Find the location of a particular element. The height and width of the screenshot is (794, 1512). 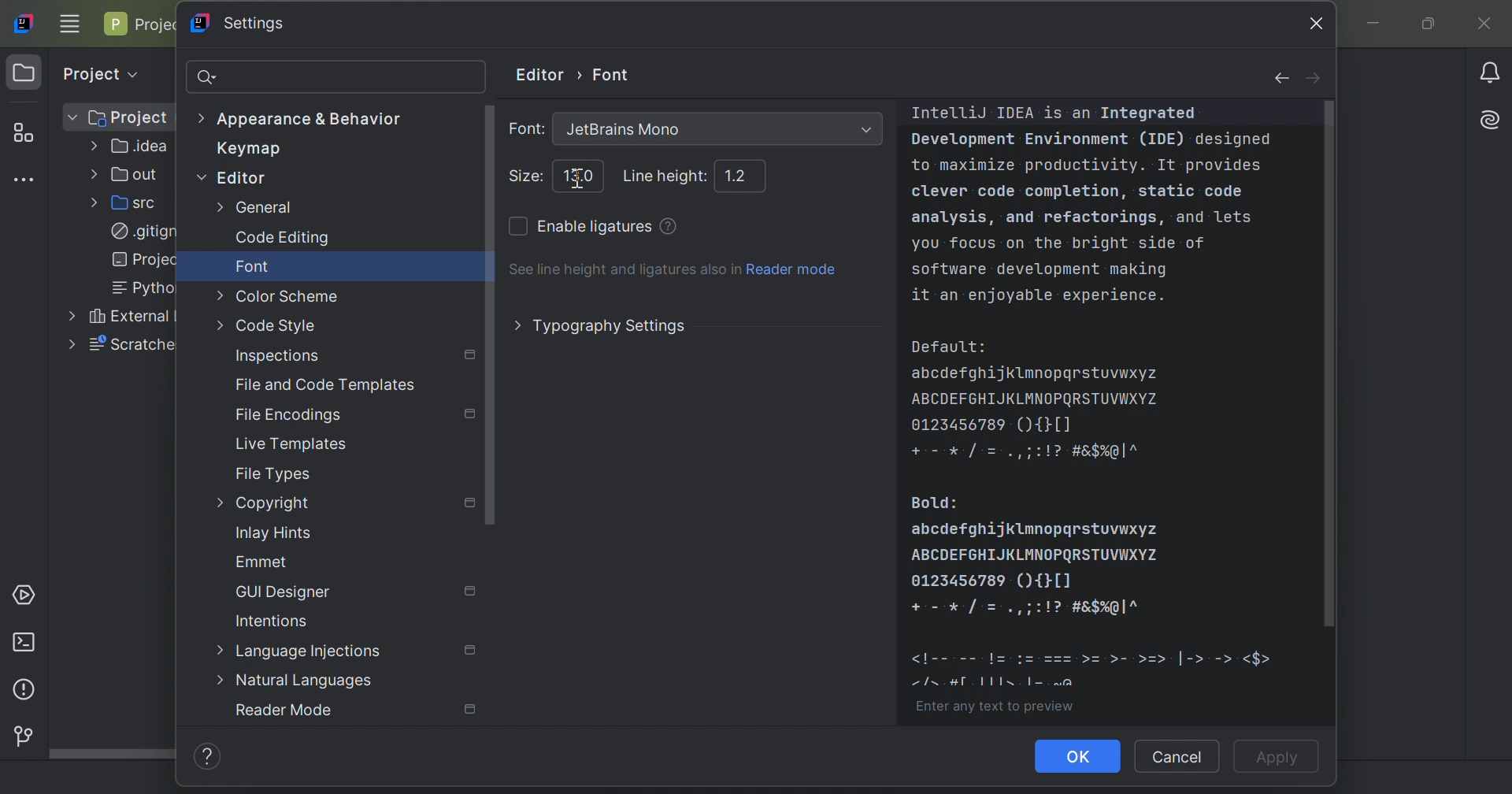

Project is located at coordinates (117, 118).